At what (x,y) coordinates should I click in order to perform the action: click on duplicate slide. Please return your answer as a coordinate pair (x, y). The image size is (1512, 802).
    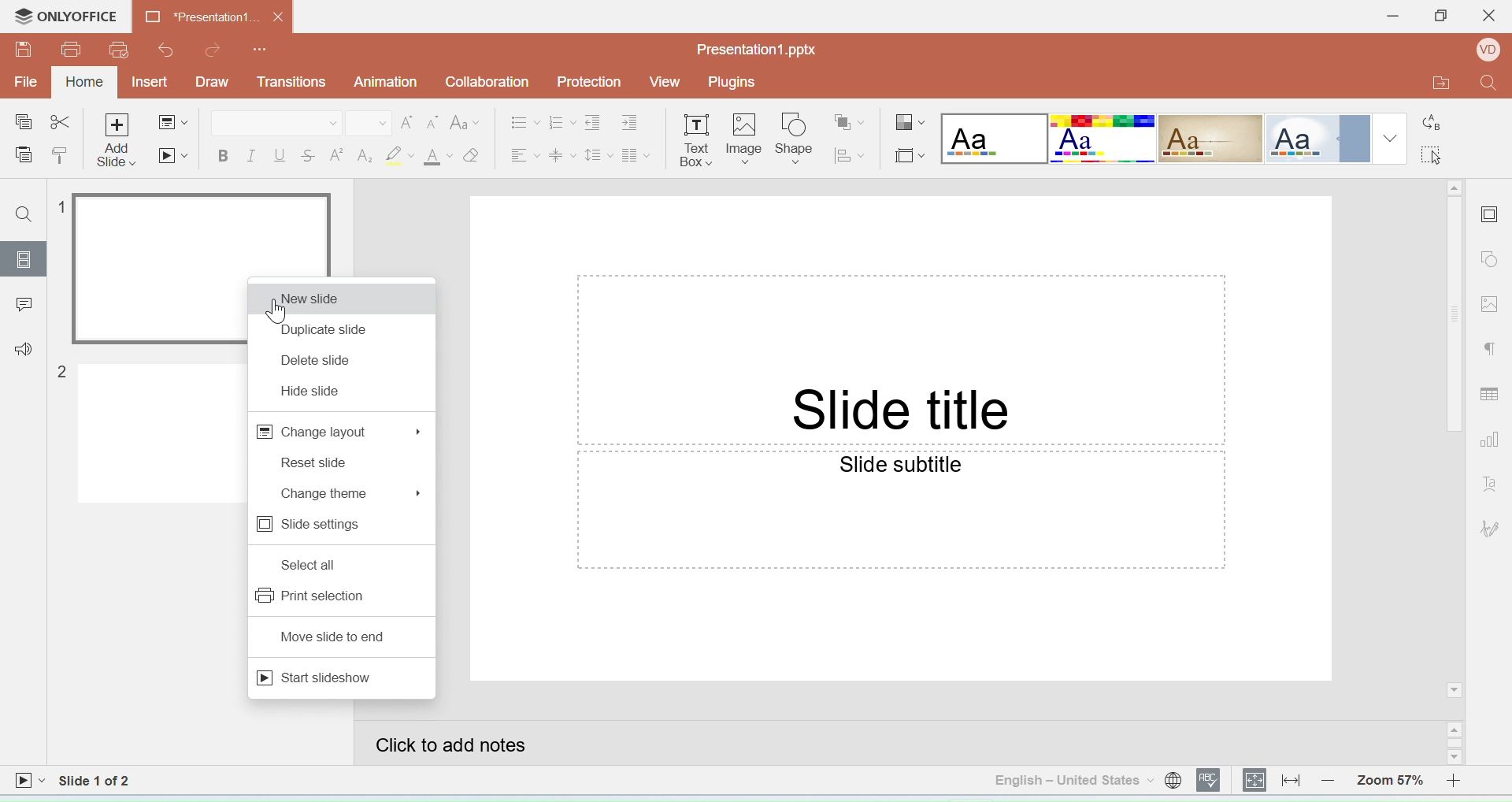
    Looking at the image, I should click on (325, 332).